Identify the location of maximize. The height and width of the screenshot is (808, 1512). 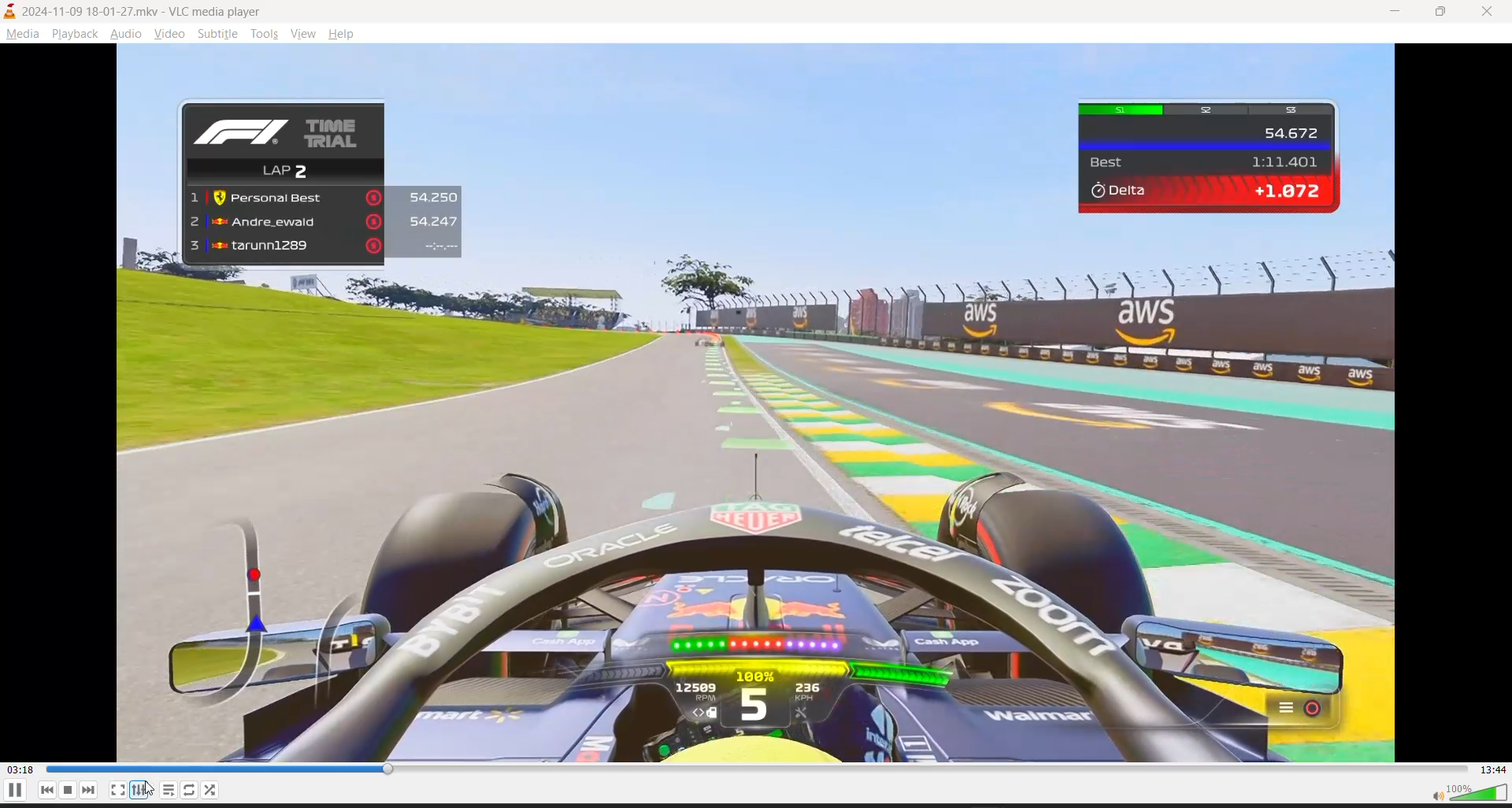
(1440, 13).